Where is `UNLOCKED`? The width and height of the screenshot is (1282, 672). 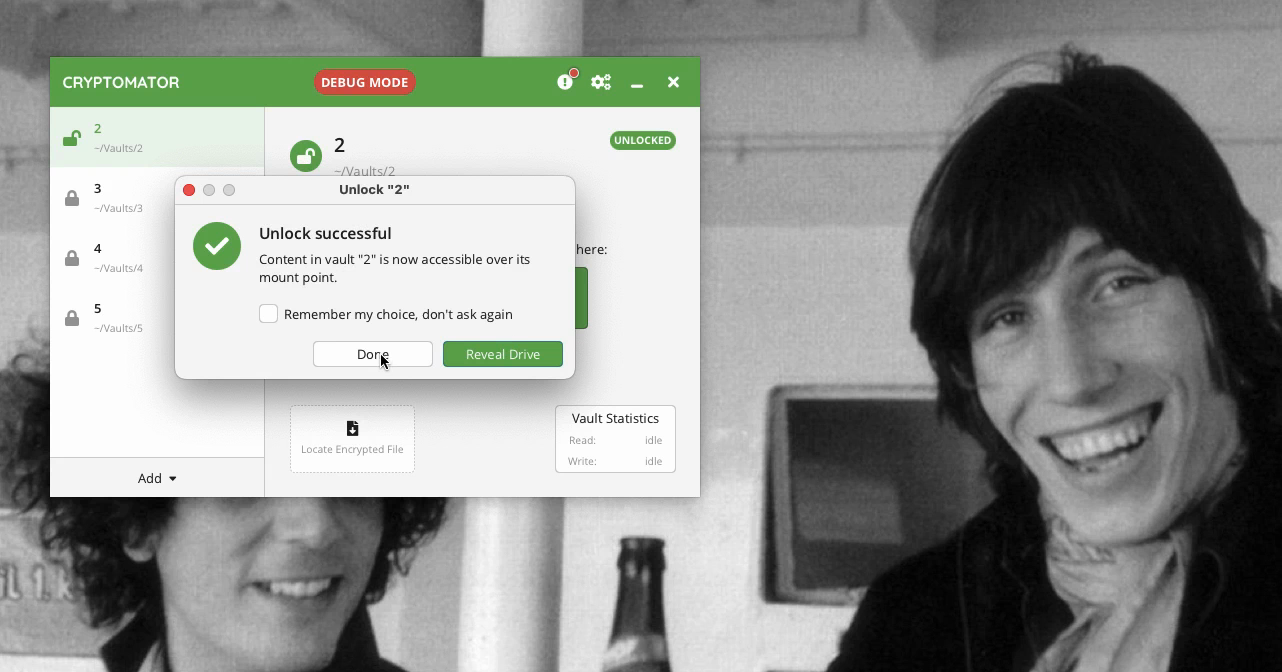 UNLOCKED is located at coordinates (642, 140).